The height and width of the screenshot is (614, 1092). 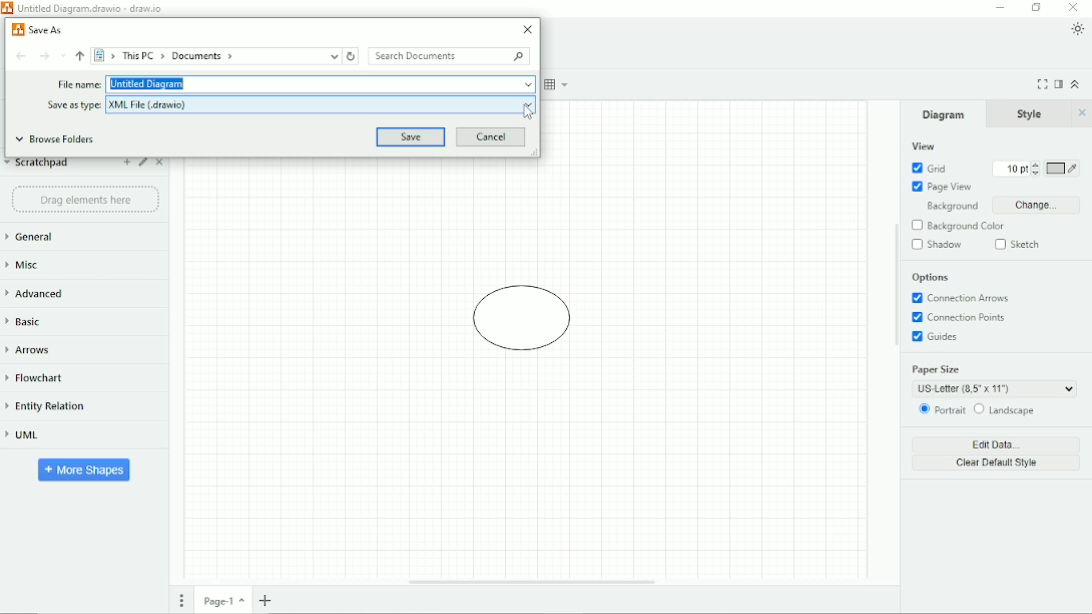 I want to click on Appearance, so click(x=1078, y=29).